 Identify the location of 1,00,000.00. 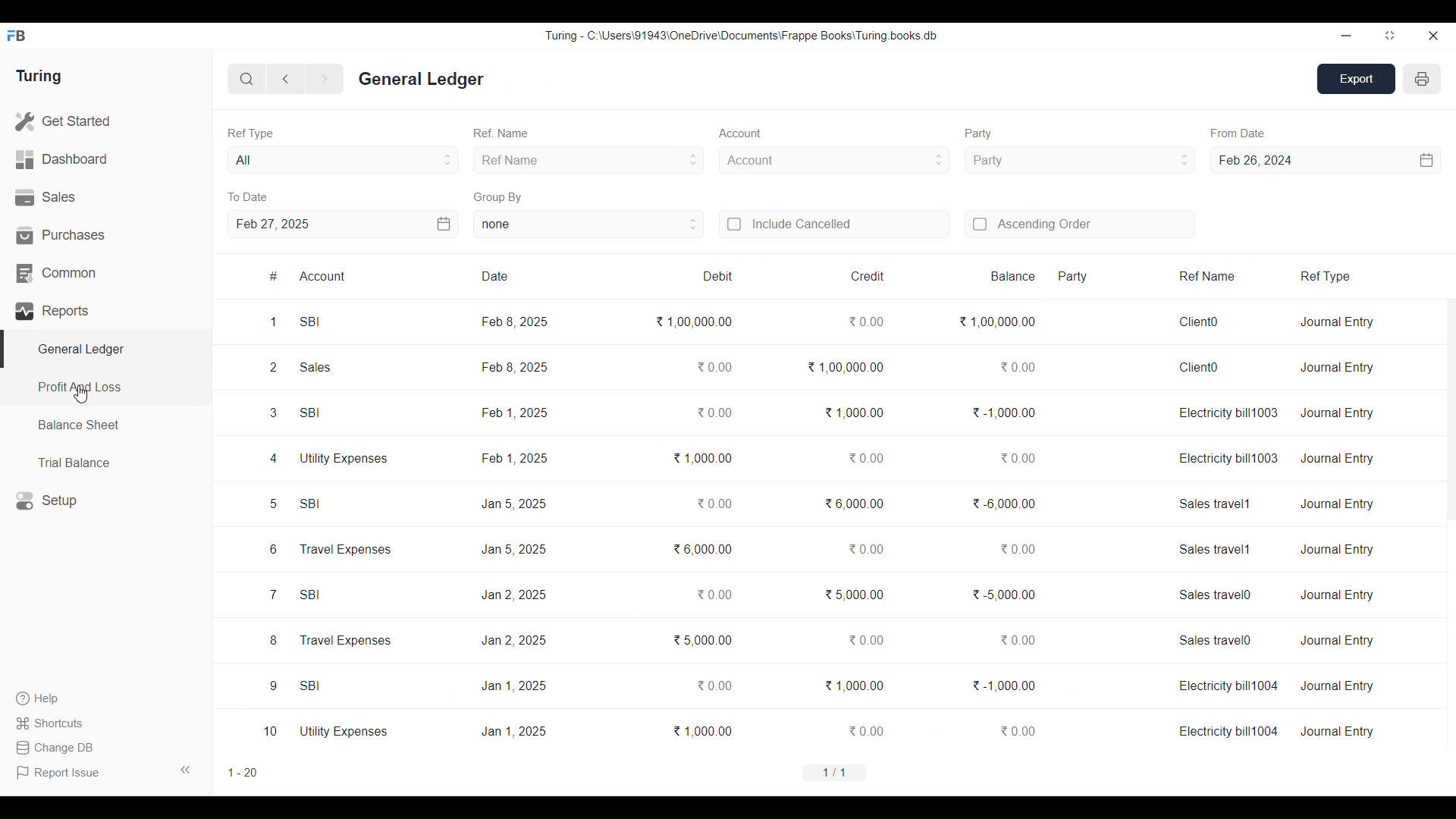
(694, 322).